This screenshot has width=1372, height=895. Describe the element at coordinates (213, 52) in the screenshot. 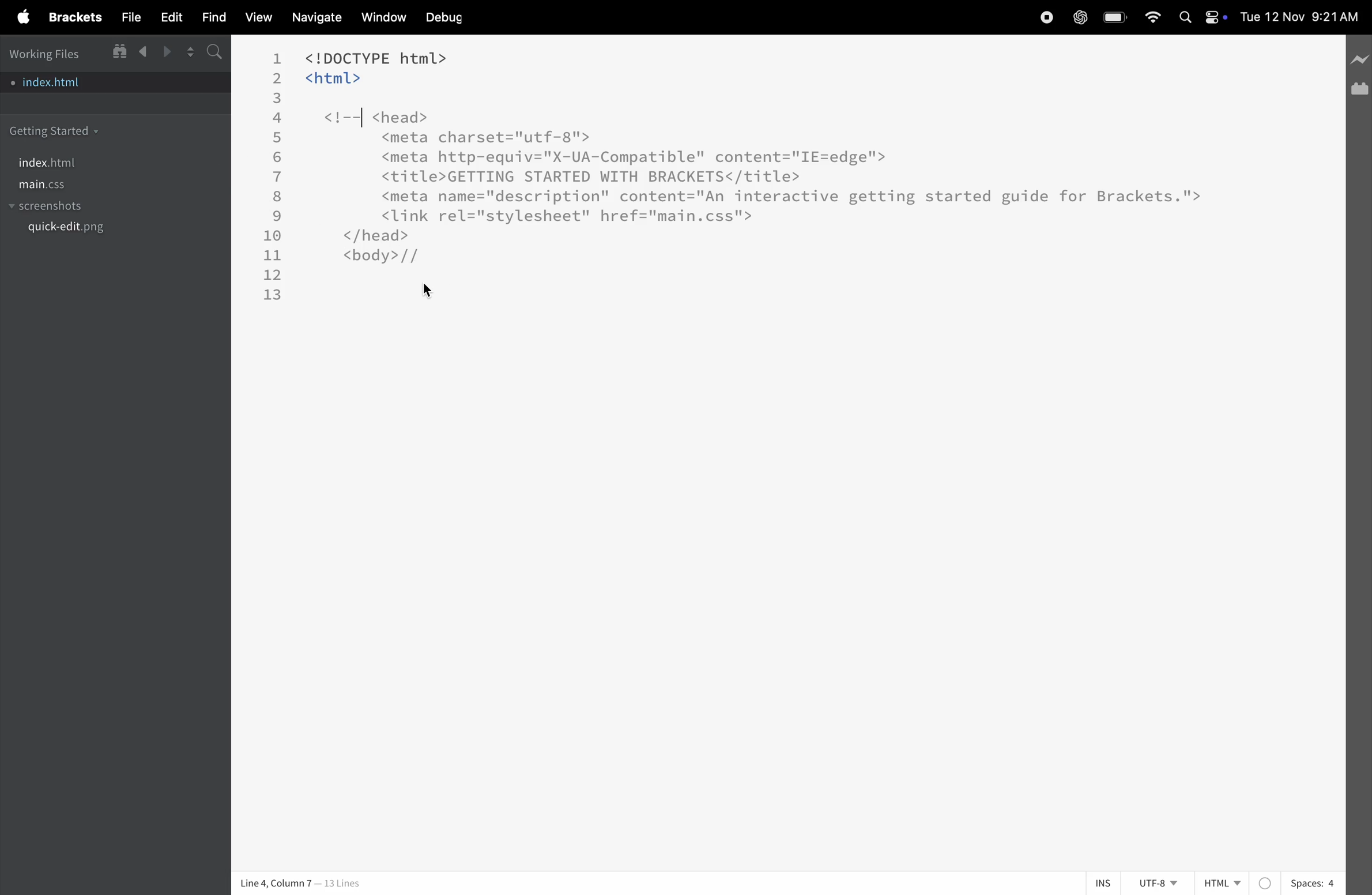

I see `s` at that location.